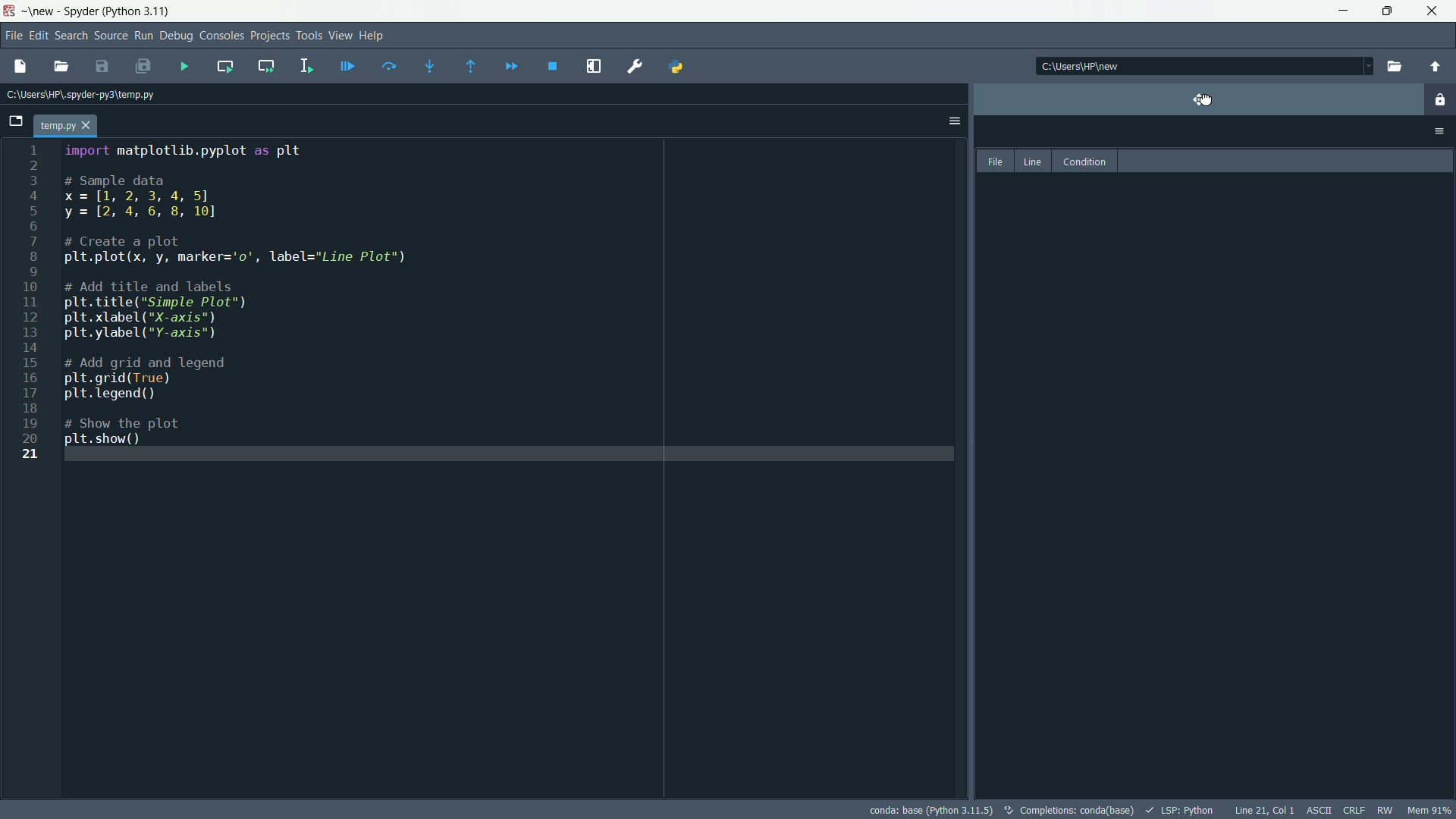 Image resolution: width=1456 pixels, height=819 pixels. Describe the element at coordinates (1388, 810) in the screenshot. I see `RW` at that location.